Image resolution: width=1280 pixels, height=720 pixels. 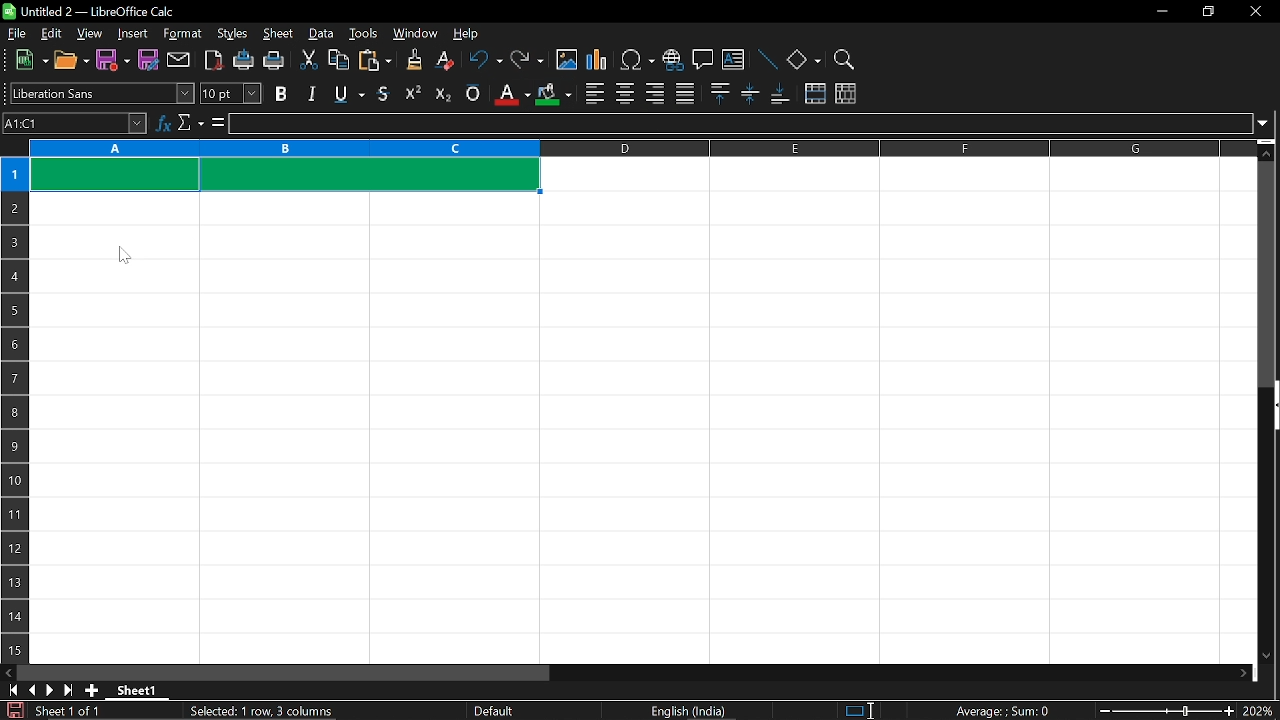 I want to click on italic, so click(x=311, y=93).